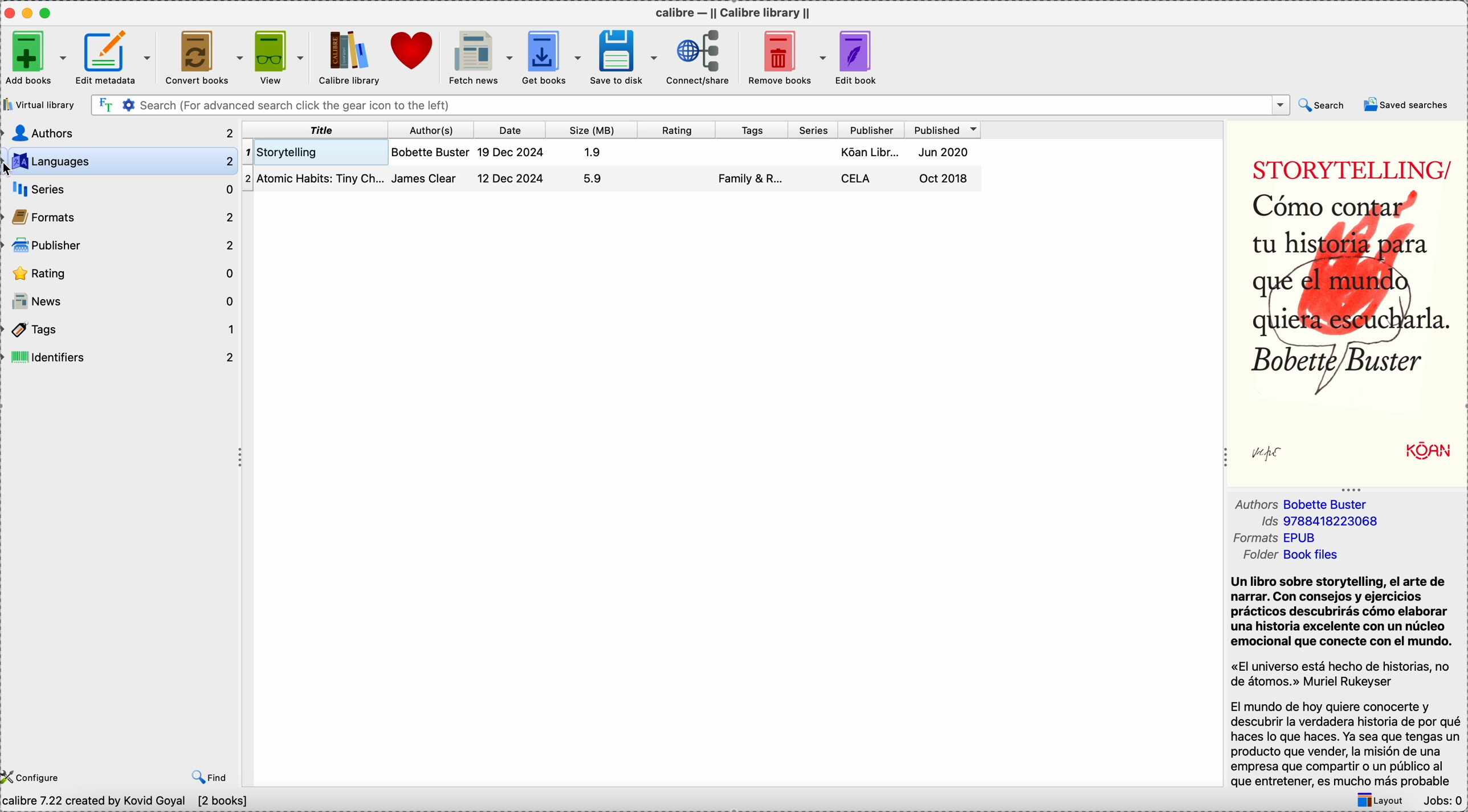 Image resolution: width=1468 pixels, height=812 pixels. Describe the element at coordinates (211, 779) in the screenshot. I see `find` at that location.